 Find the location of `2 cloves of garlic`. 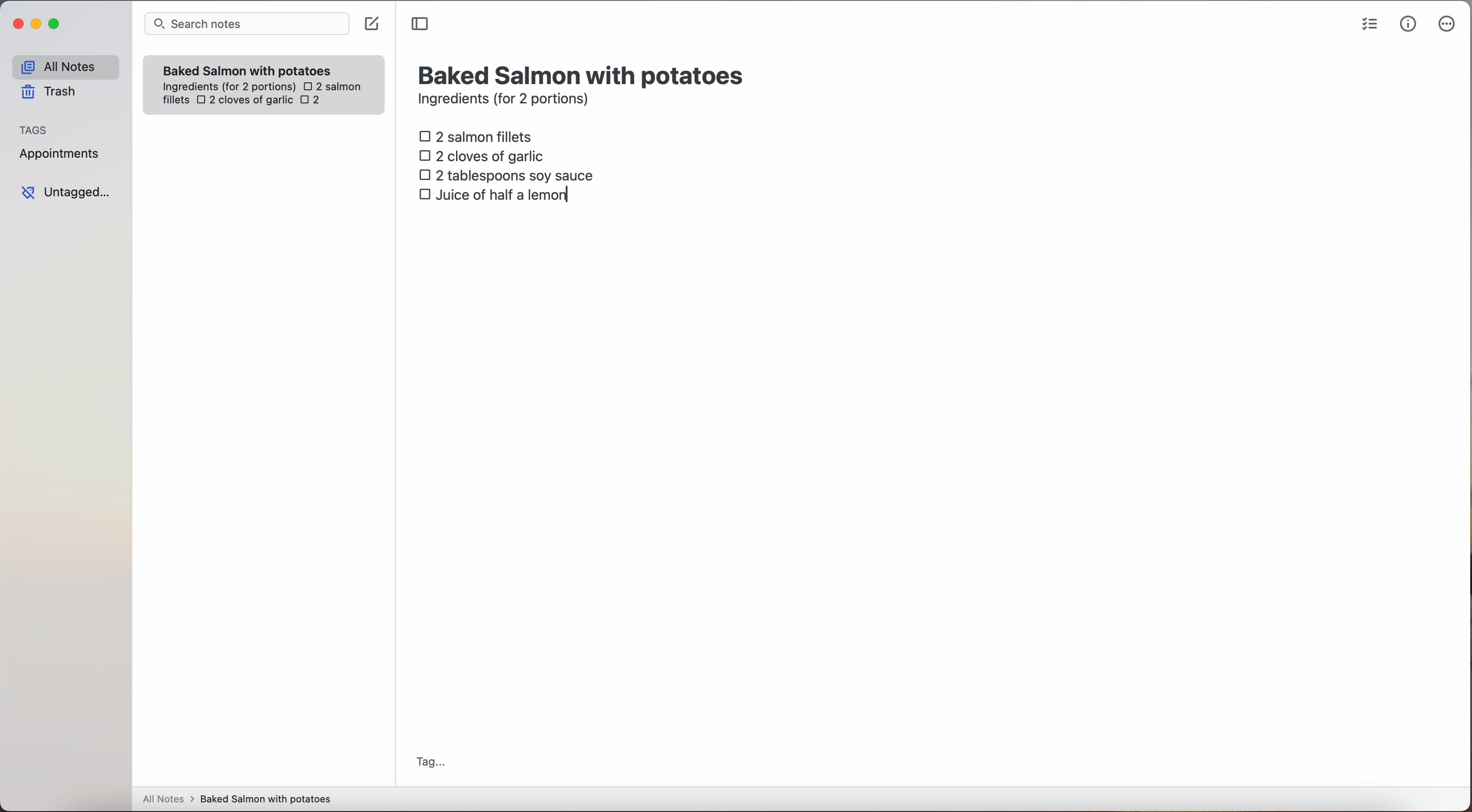

2 cloves of garlic is located at coordinates (485, 154).